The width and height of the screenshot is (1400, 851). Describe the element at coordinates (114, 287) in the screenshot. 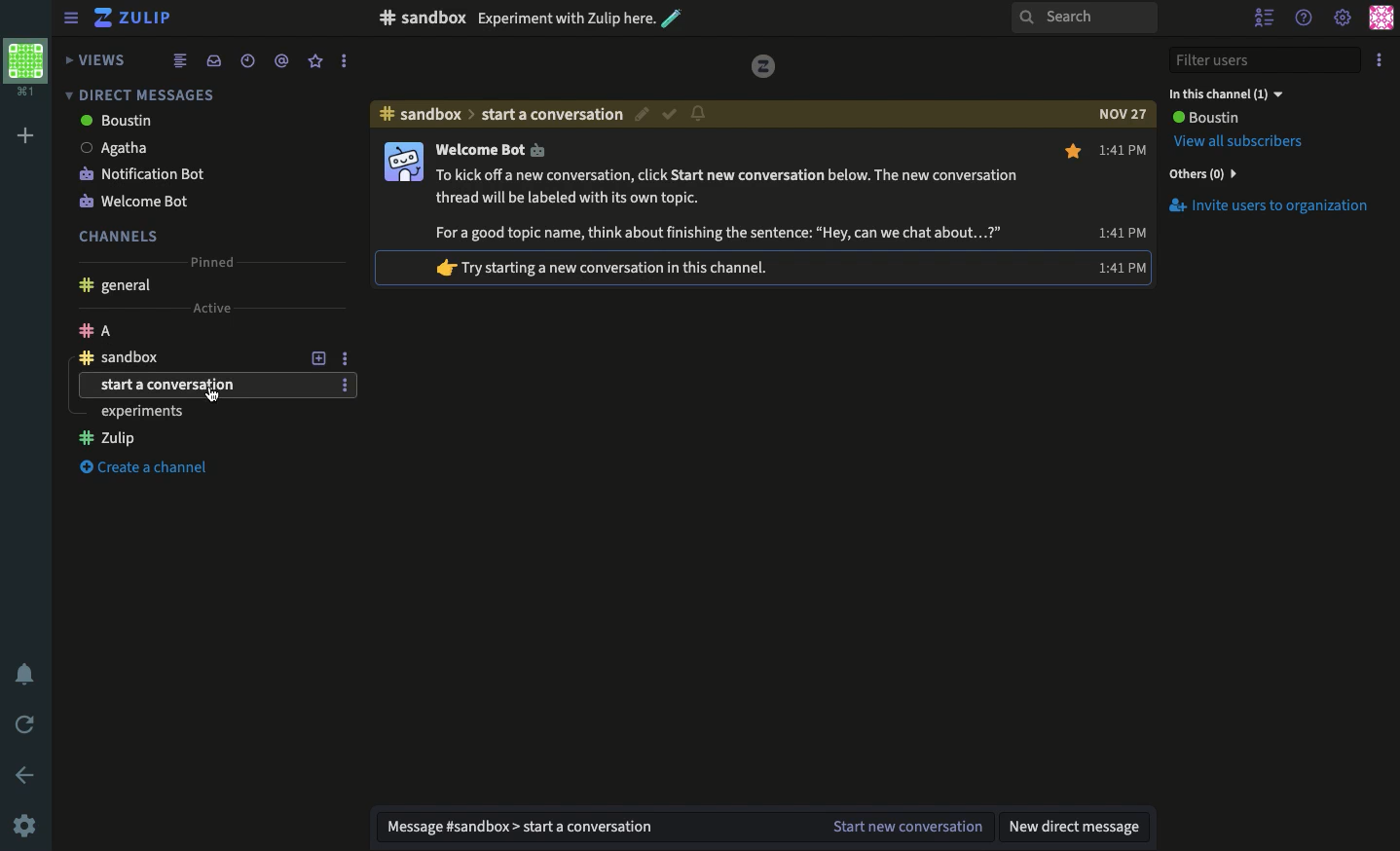

I see `General` at that location.